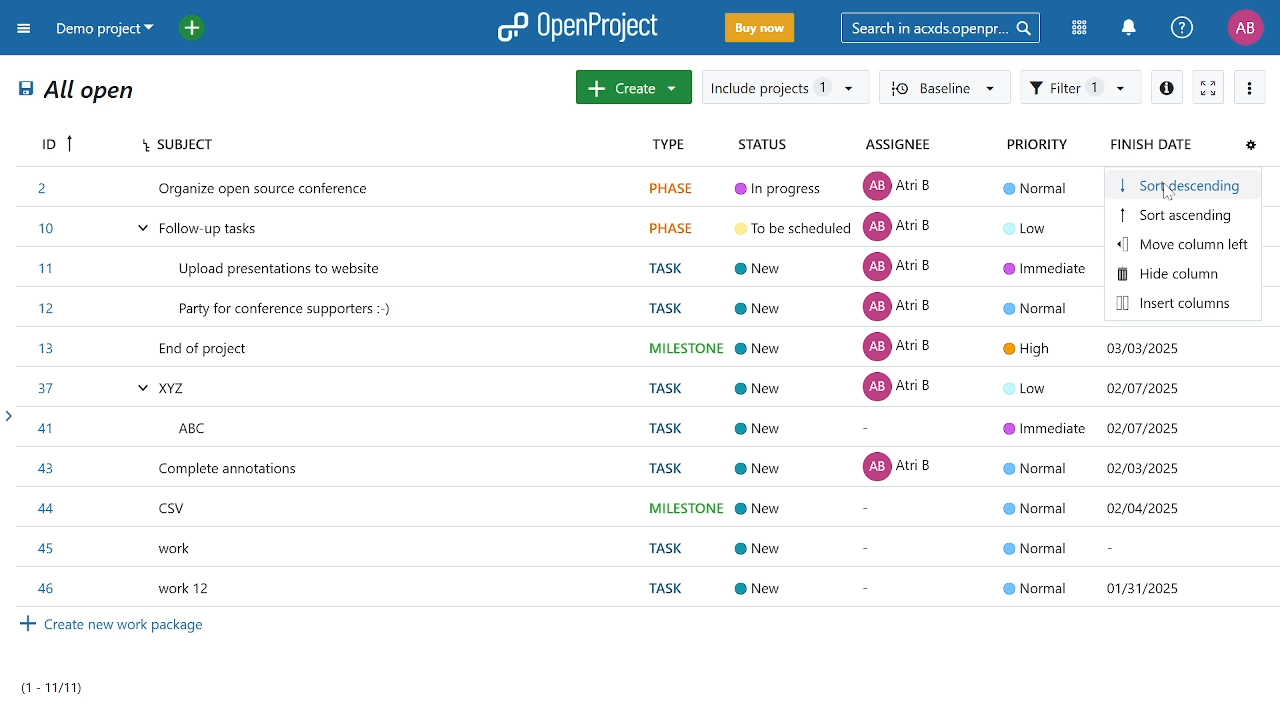 This screenshot has width=1280, height=720. I want to click on type, so click(678, 145).